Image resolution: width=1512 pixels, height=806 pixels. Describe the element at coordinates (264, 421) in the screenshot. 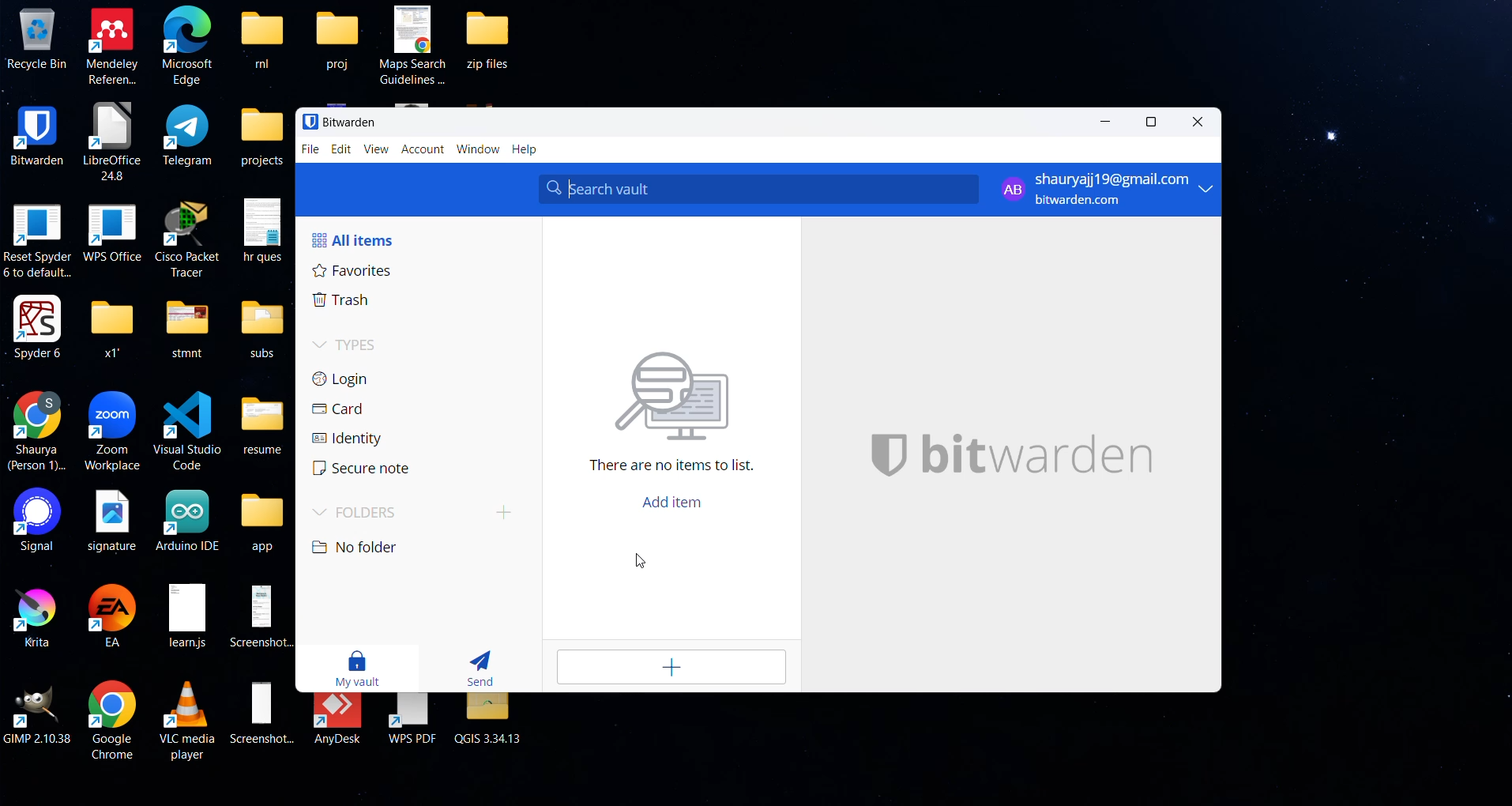

I see `resume` at that location.